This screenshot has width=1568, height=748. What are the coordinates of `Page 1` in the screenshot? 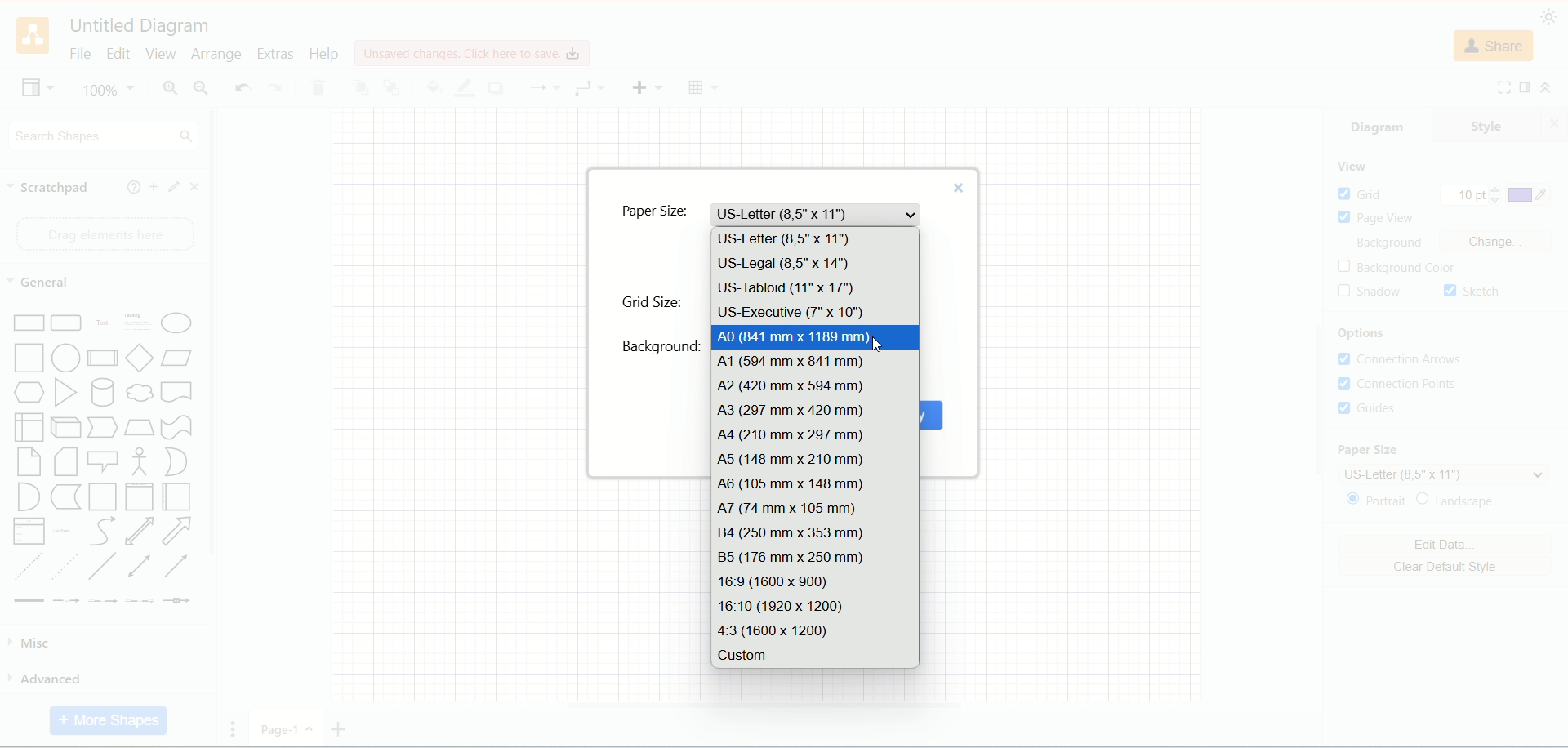 It's located at (283, 730).